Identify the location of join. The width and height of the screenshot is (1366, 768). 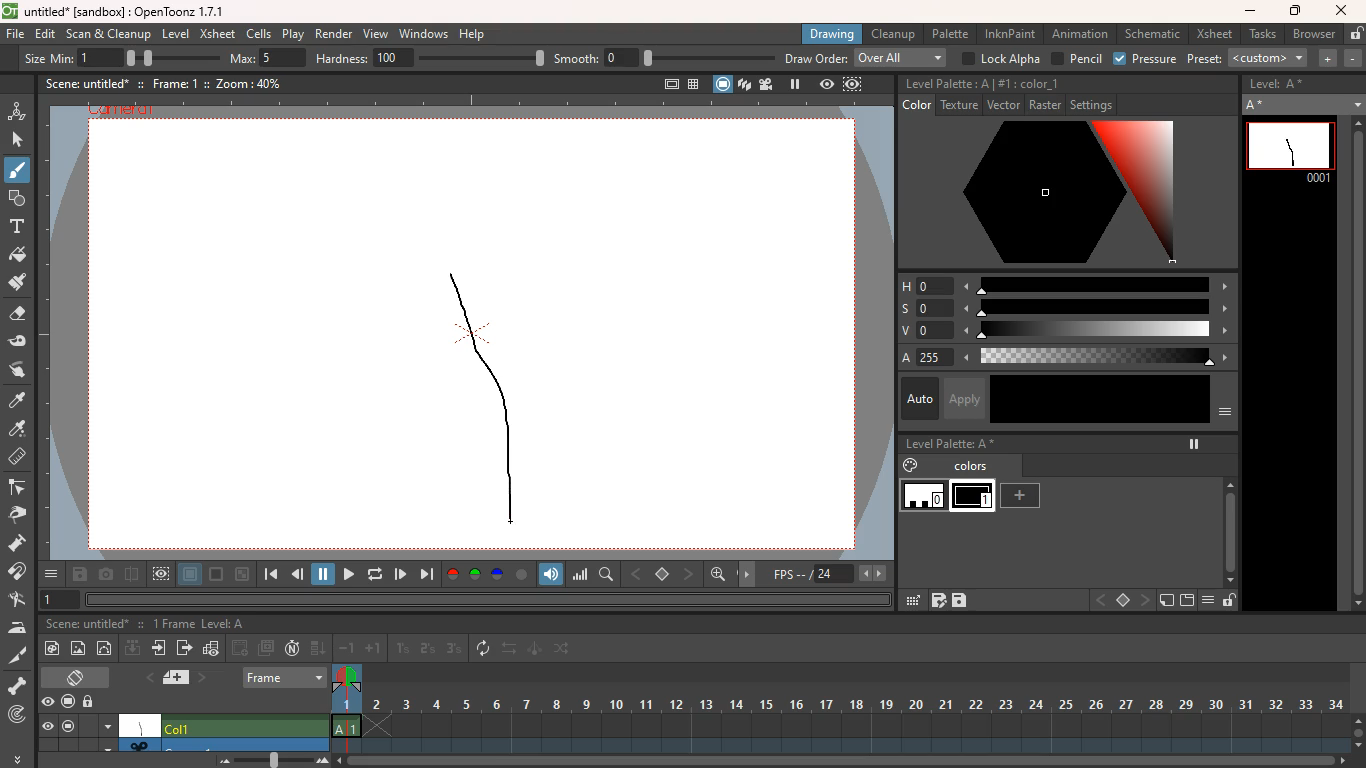
(20, 573).